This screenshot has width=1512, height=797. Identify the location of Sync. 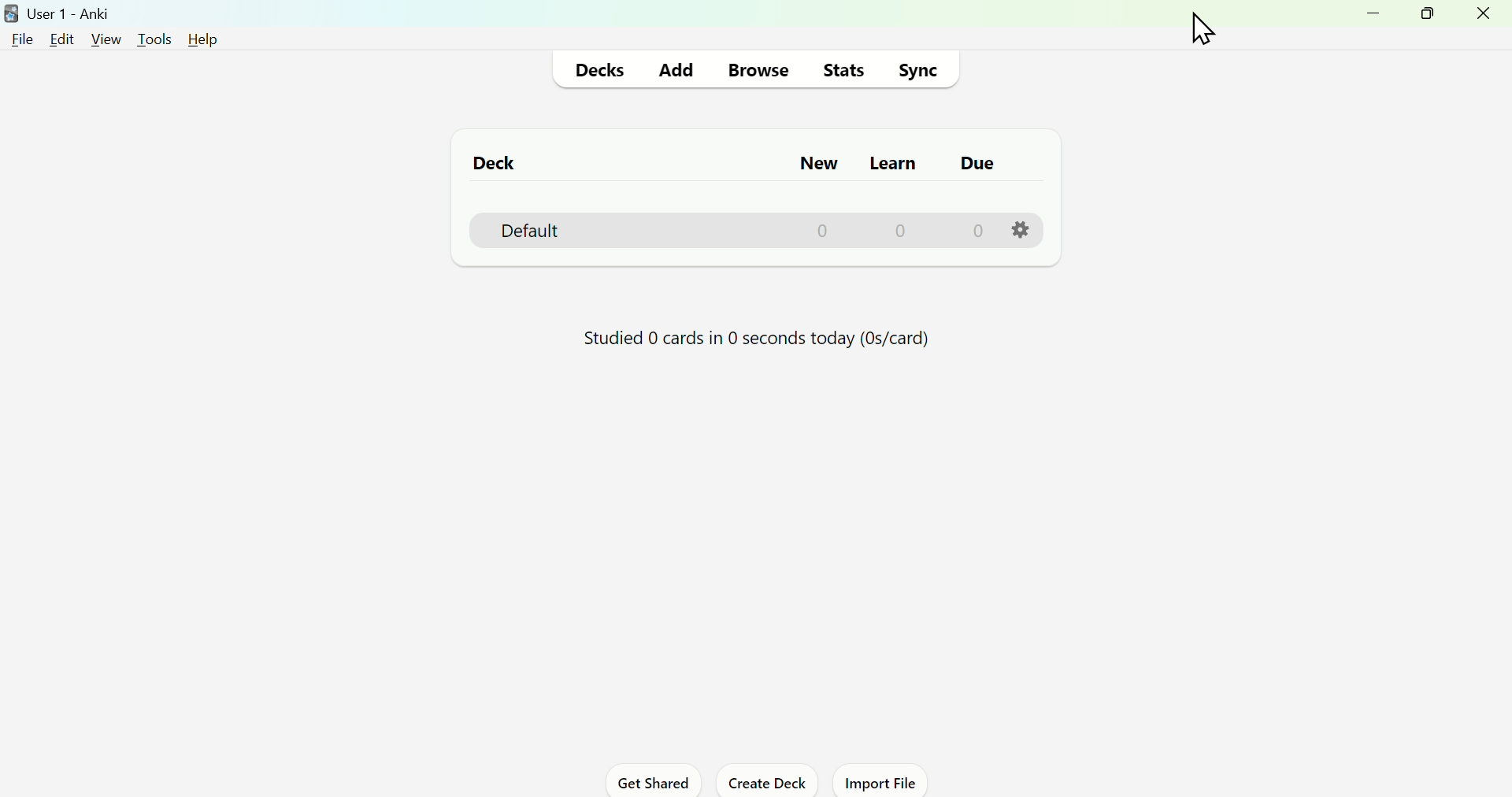
(920, 70).